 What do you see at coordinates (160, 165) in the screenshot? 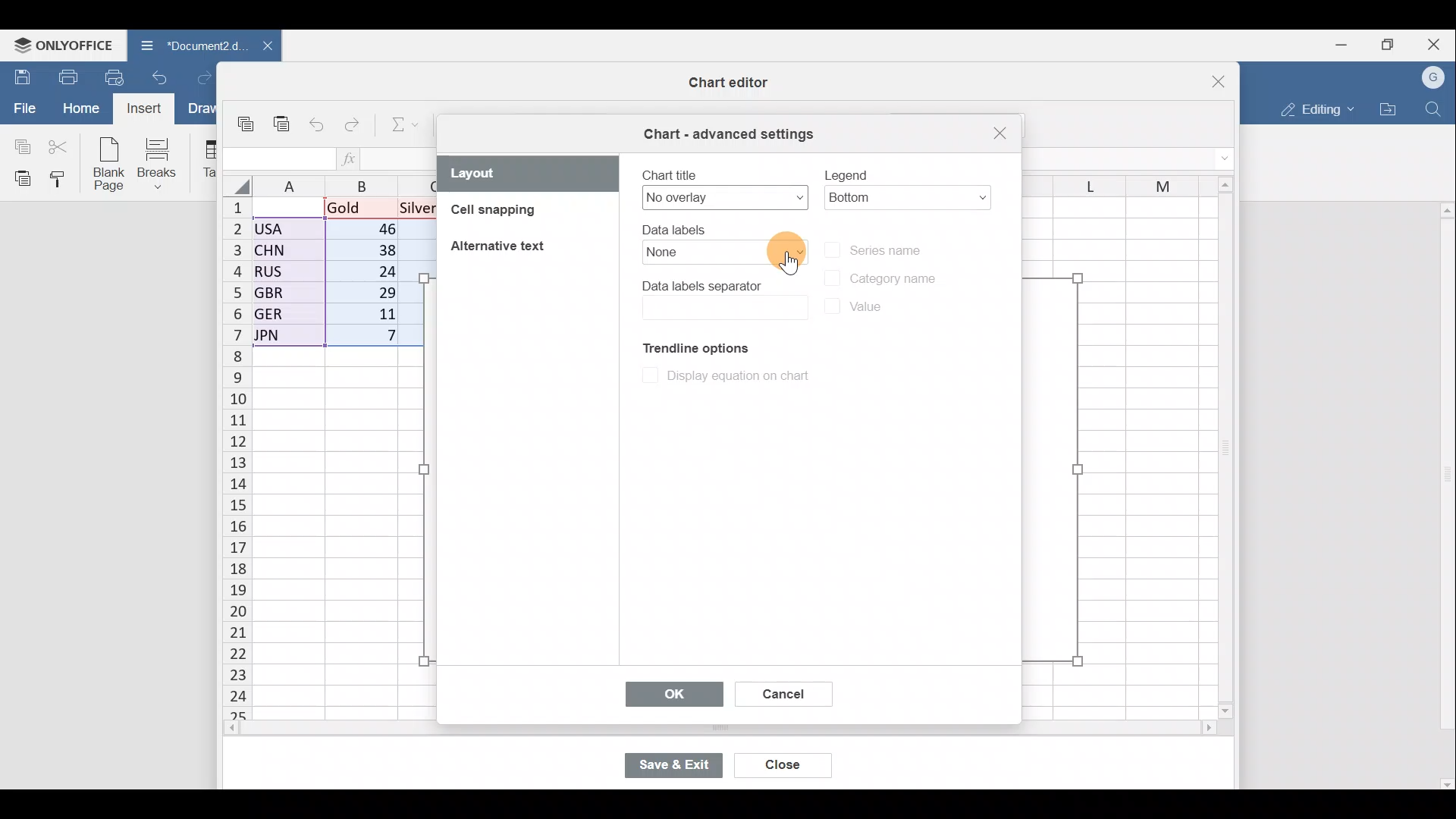
I see `Breaks` at bounding box center [160, 165].